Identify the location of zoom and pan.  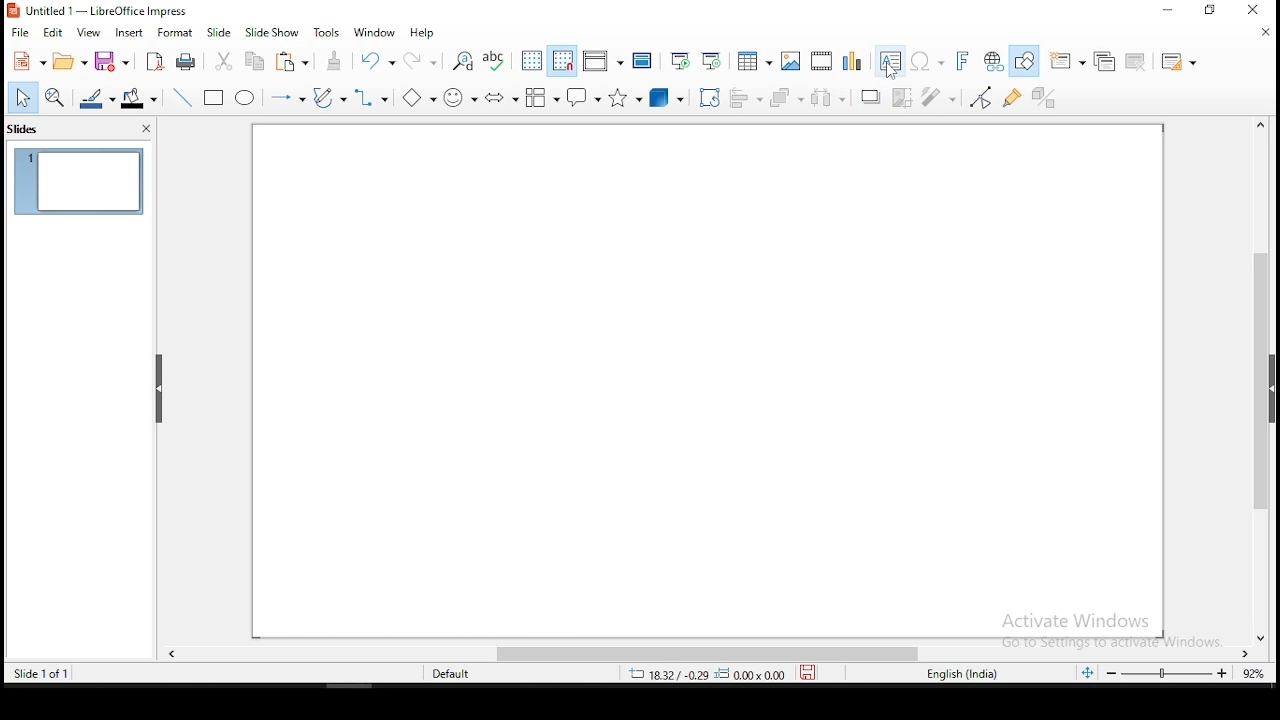
(53, 97).